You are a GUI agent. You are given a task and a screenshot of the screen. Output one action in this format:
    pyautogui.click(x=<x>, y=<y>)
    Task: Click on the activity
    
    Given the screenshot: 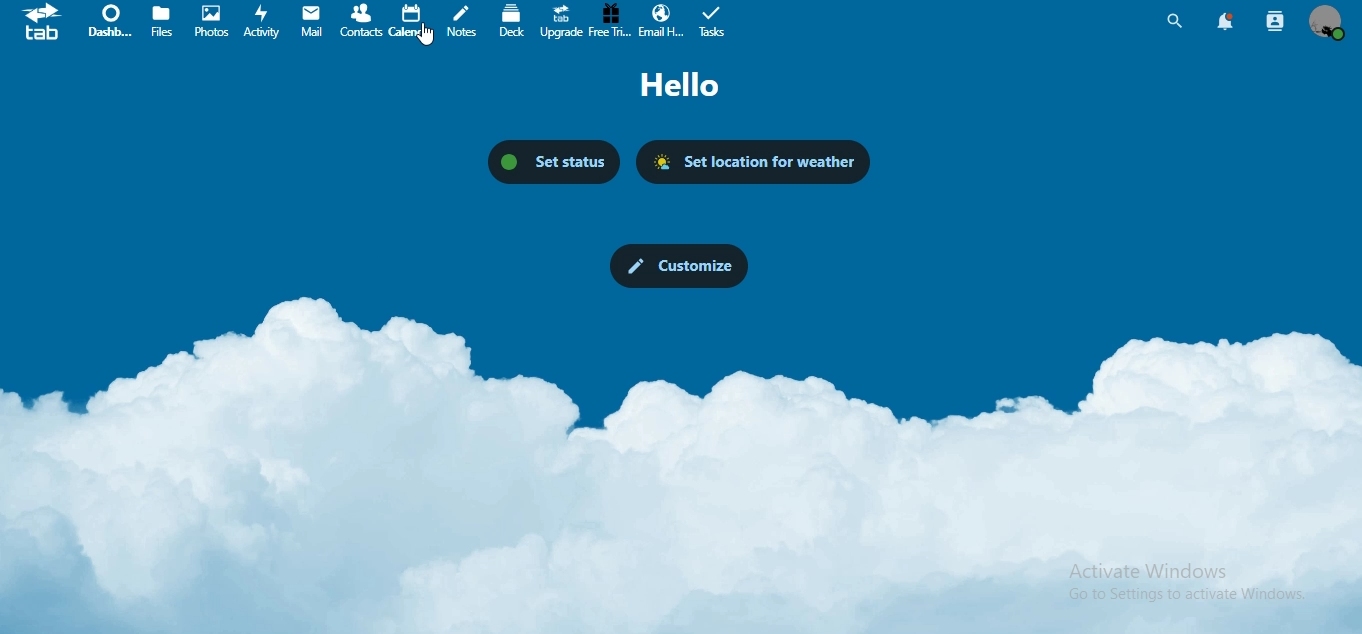 What is the action you would take?
    pyautogui.click(x=265, y=22)
    